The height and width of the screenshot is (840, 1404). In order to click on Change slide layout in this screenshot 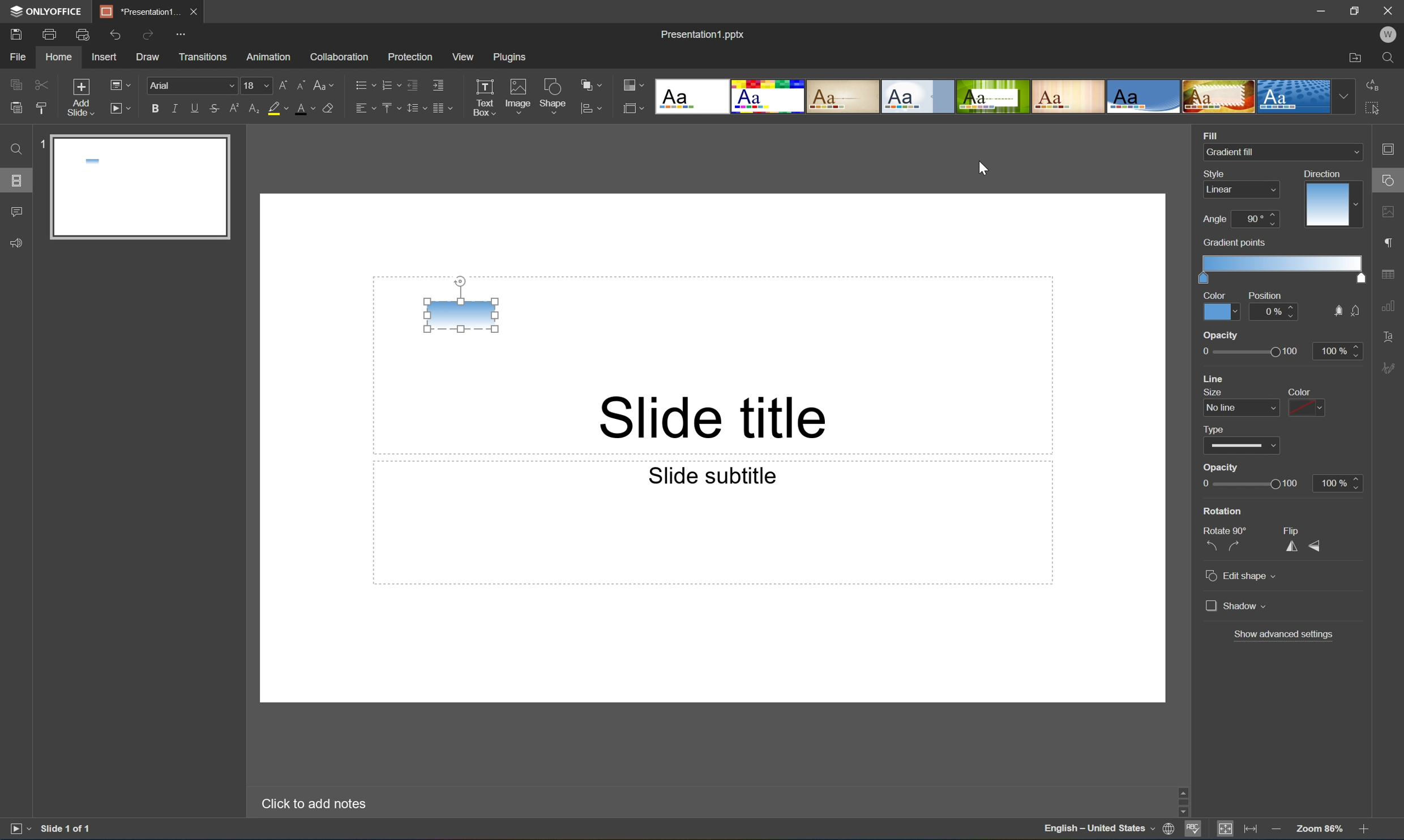, I will do `click(118, 83)`.